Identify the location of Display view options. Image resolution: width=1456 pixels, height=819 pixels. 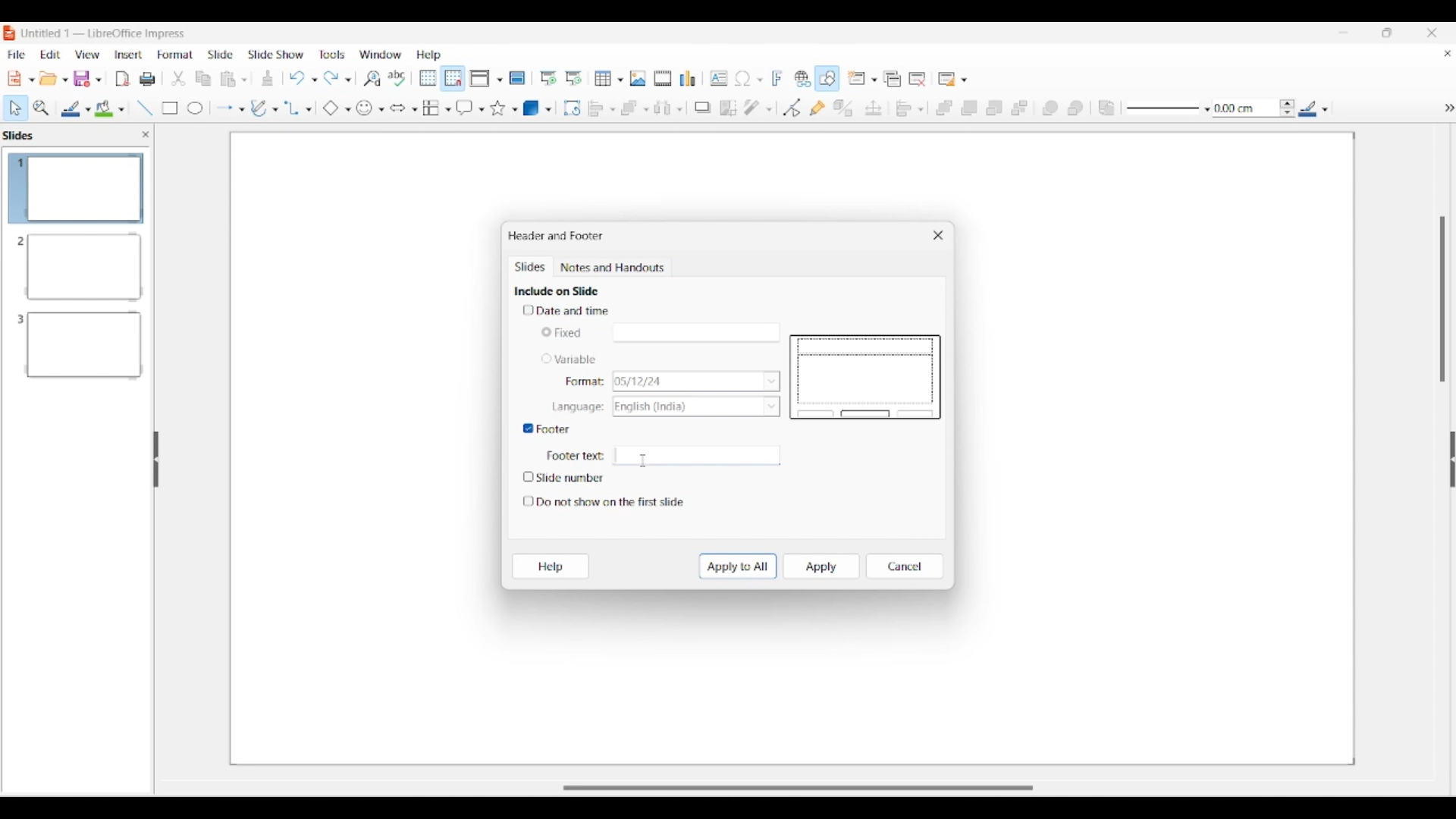
(487, 78).